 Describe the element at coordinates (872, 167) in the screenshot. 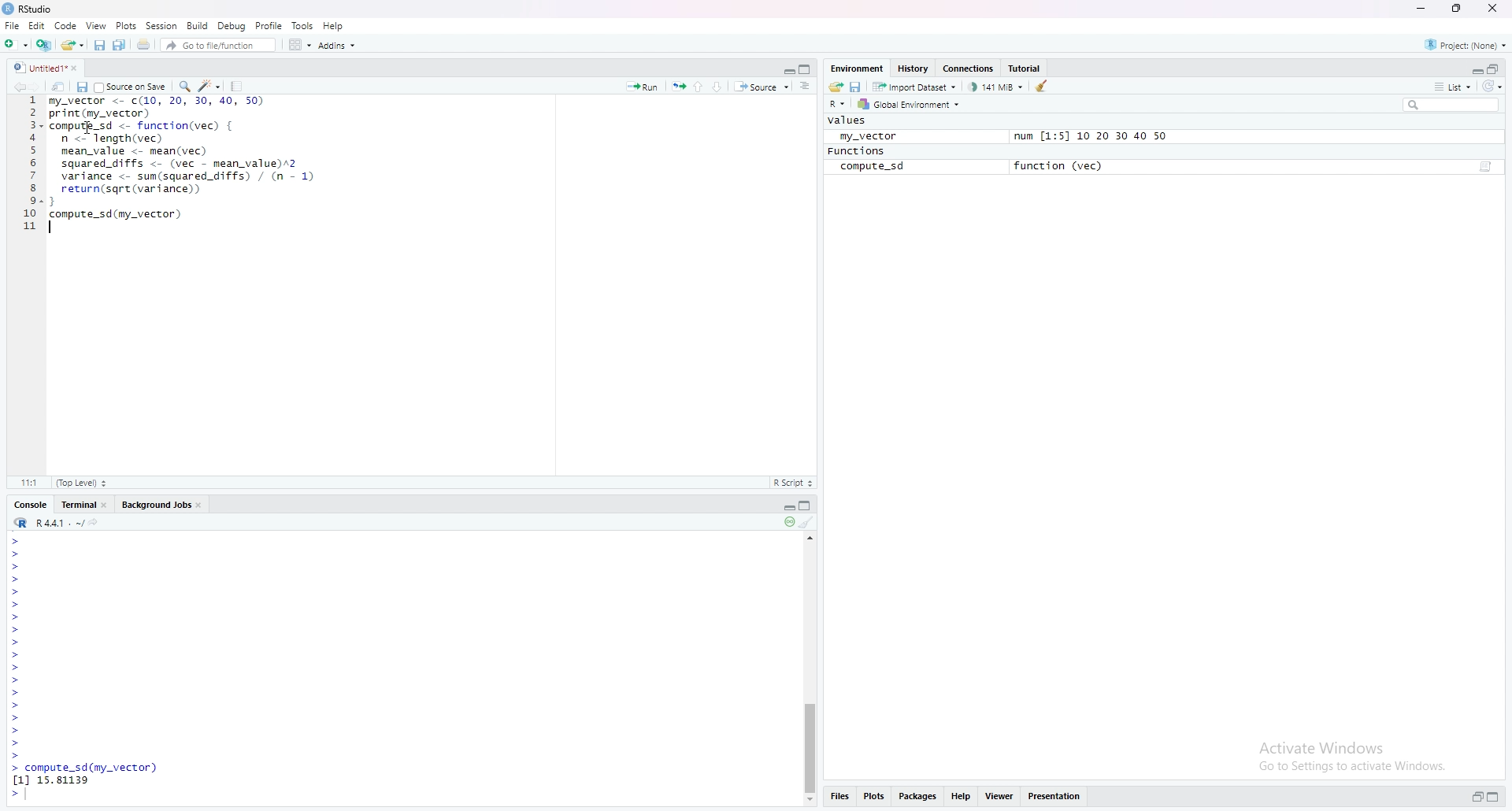

I see `compute_sd` at that location.